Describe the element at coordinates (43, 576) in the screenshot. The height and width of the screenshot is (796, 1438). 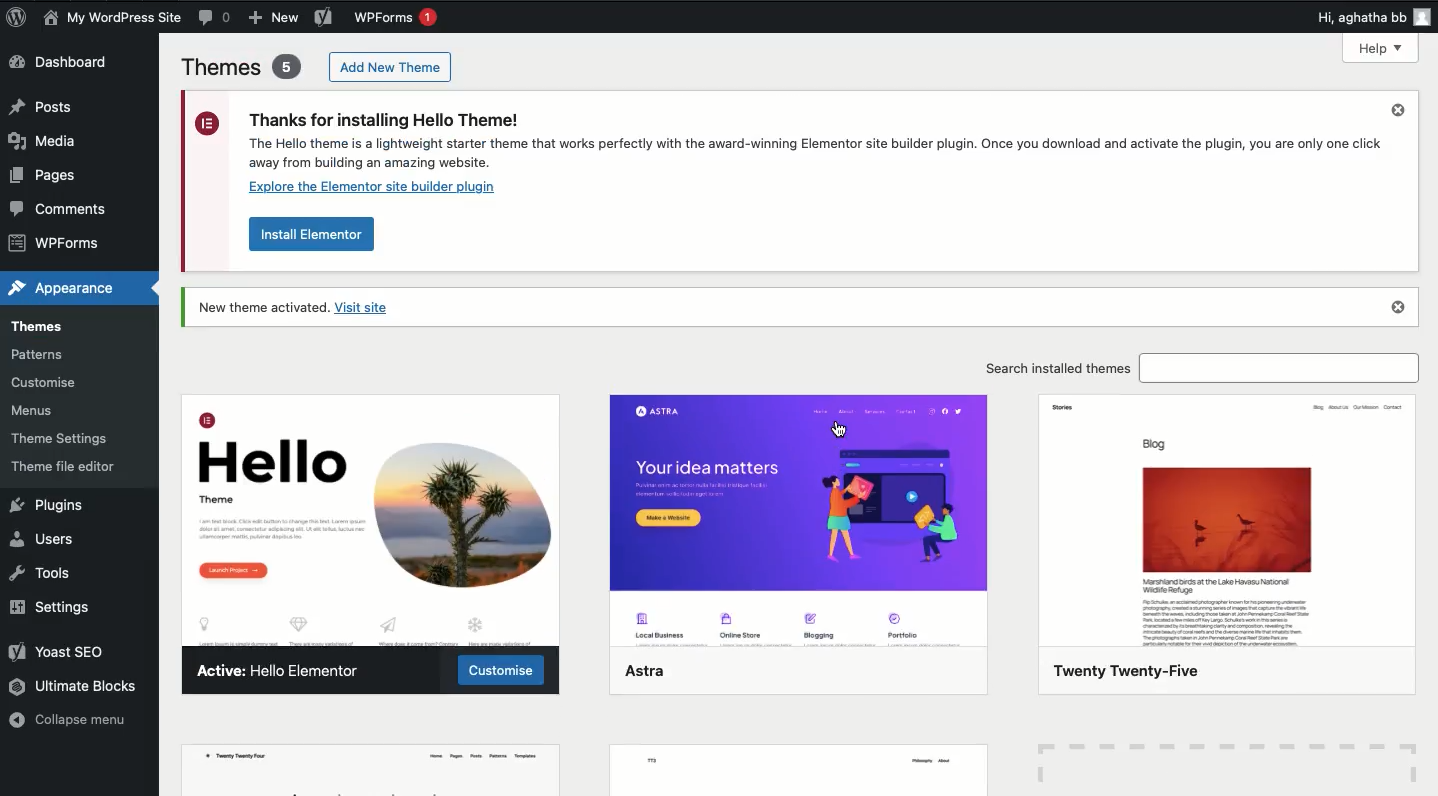
I see `Tools` at that location.